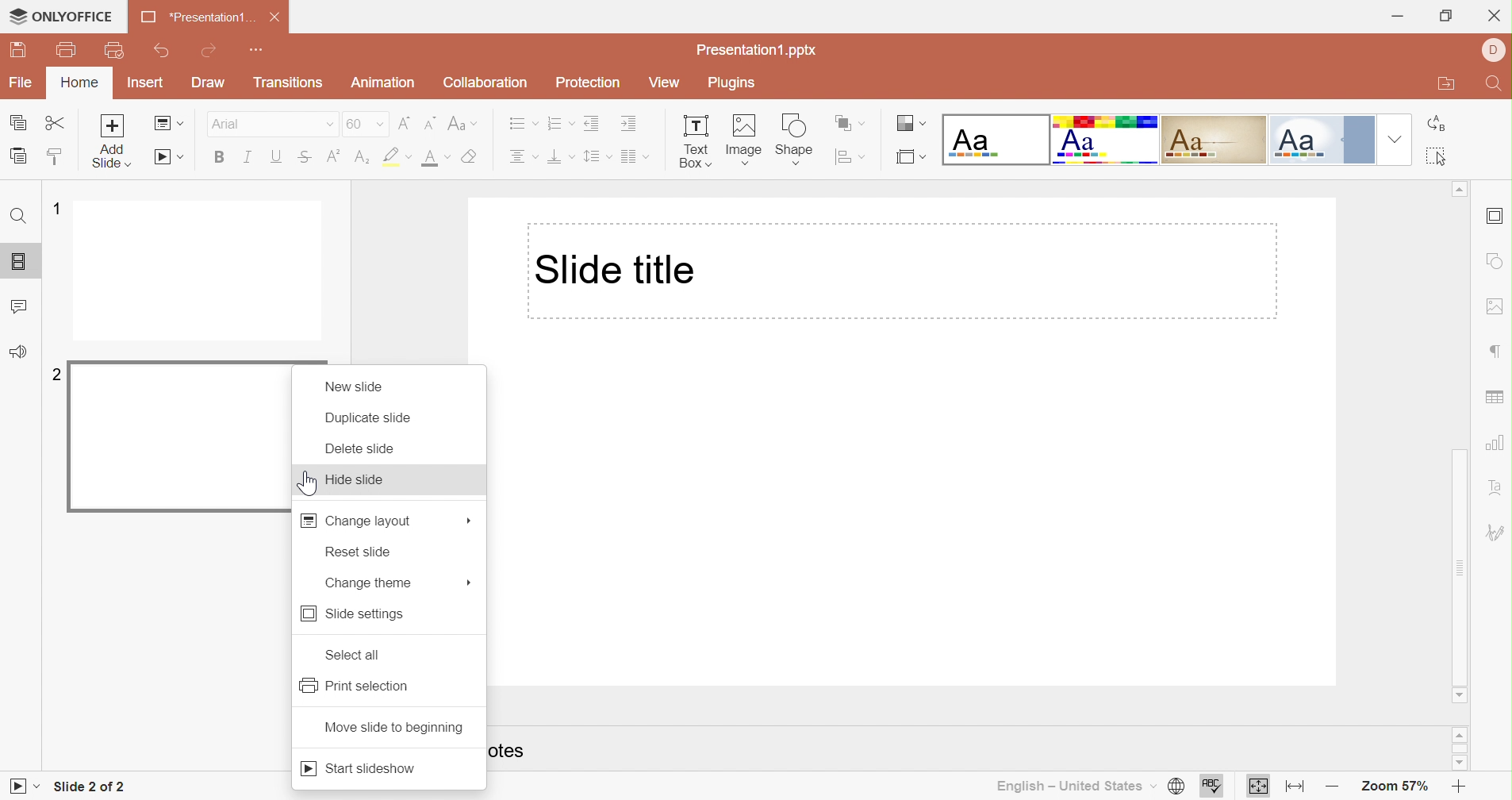 The width and height of the screenshot is (1512, 800). I want to click on Open file location, so click(1438, 86).